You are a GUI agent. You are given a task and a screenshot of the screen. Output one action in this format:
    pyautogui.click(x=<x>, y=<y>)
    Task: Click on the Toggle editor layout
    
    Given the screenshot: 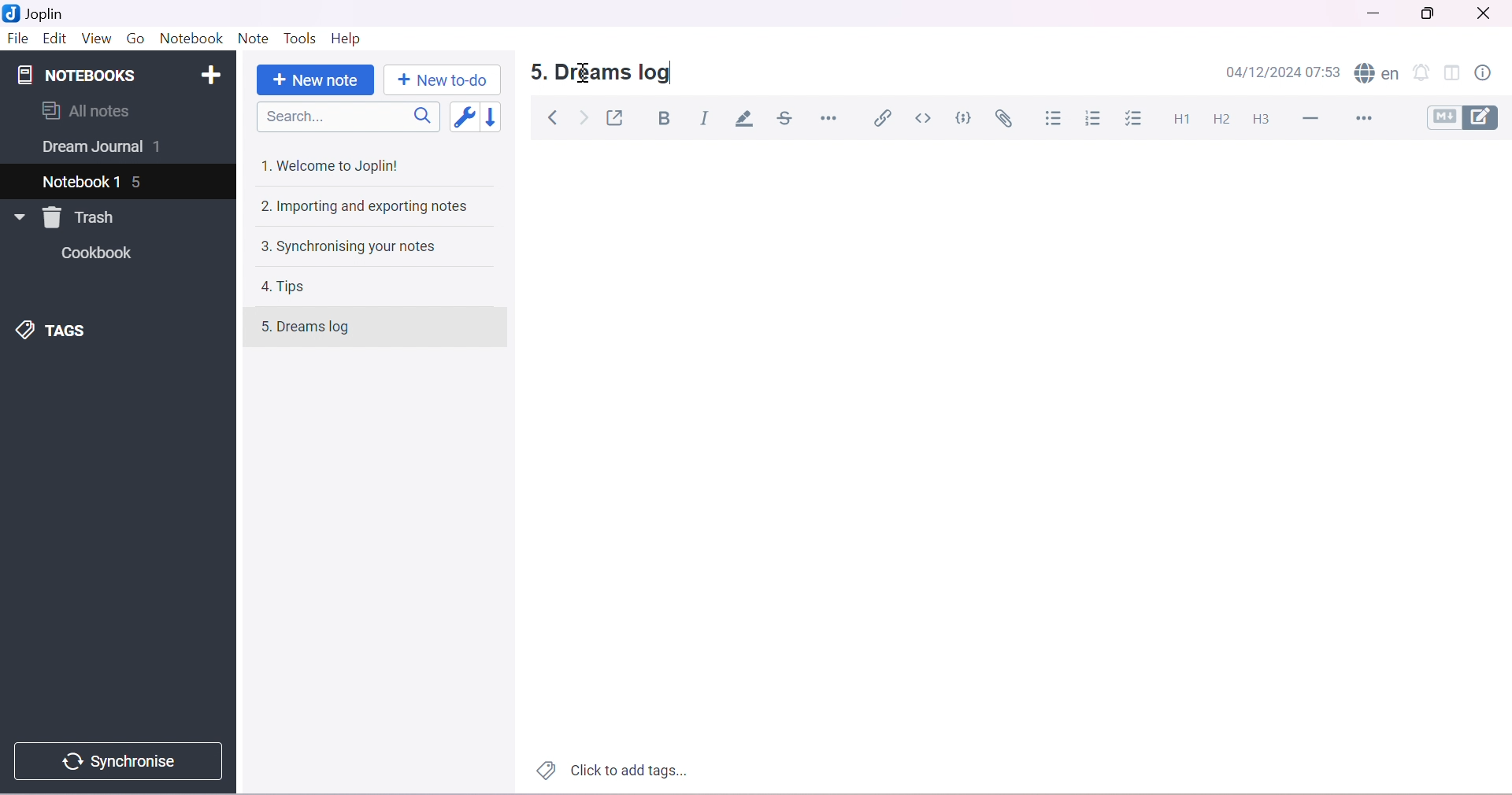 What is the action you would take?
    pyautogui.click(x=1455, y=72)
    